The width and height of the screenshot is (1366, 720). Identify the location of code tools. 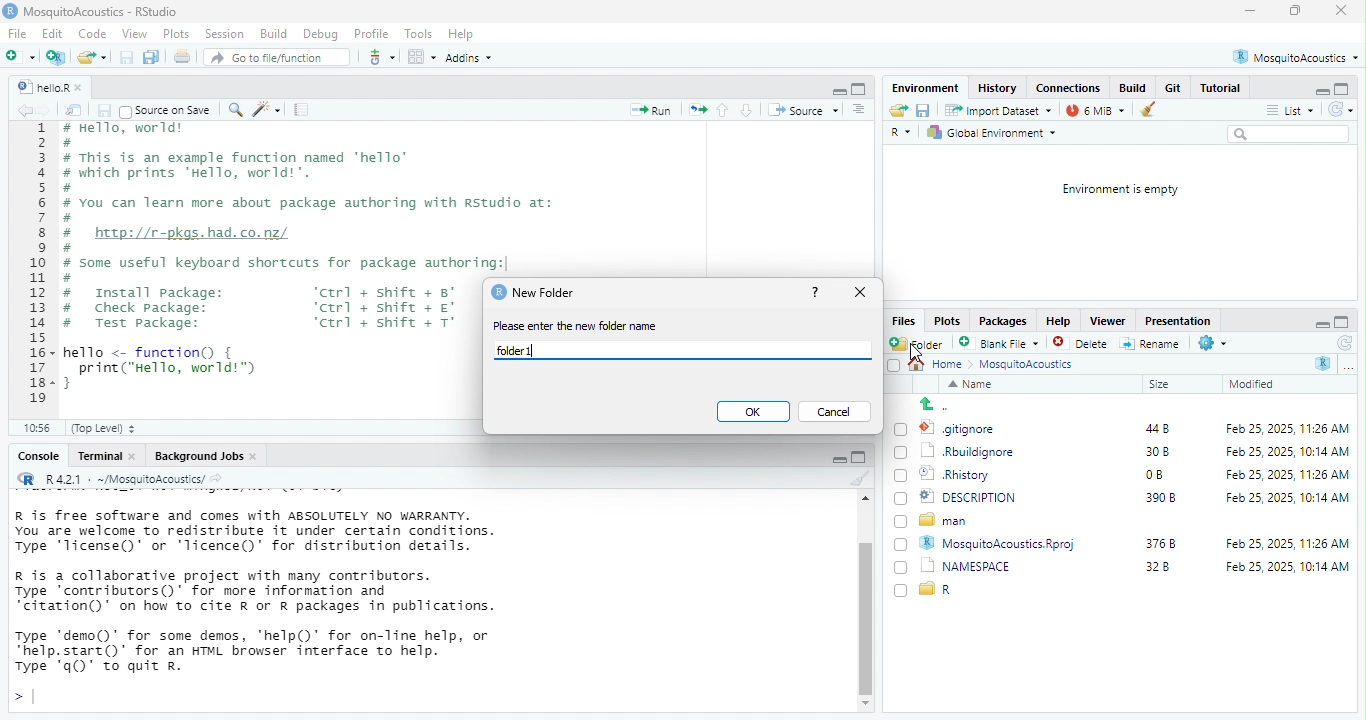
(269, 111).